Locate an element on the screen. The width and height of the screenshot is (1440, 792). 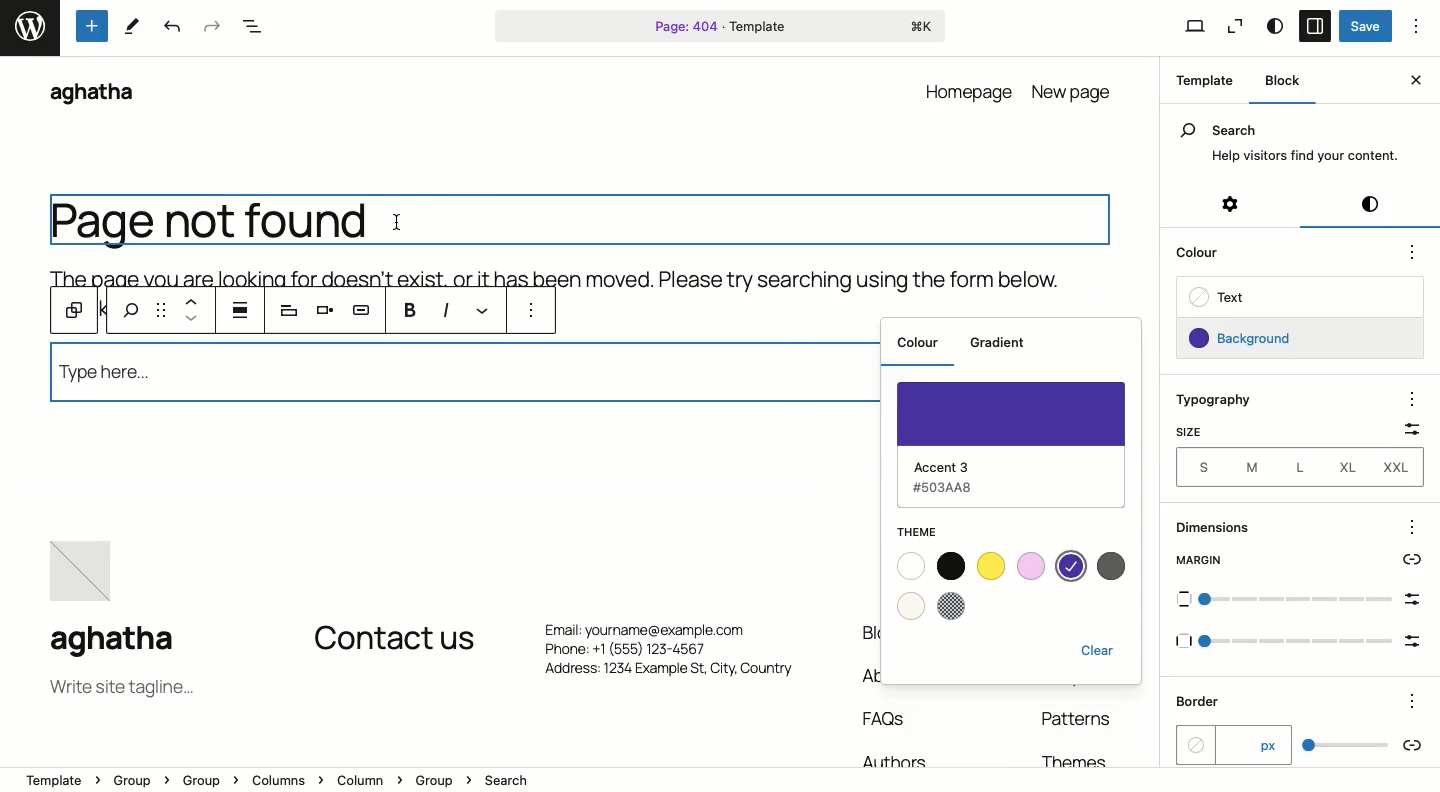
Clear is located at coordinates (1101, 649).